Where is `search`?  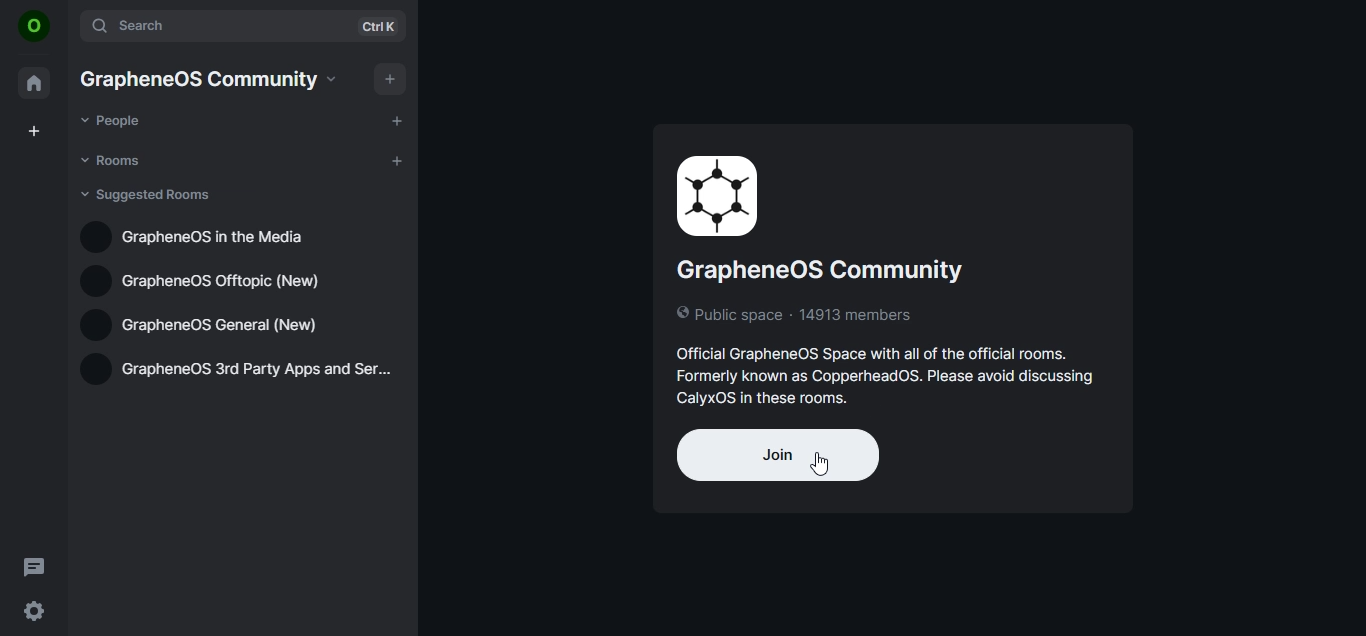 search is located at coordinates (245, 27).